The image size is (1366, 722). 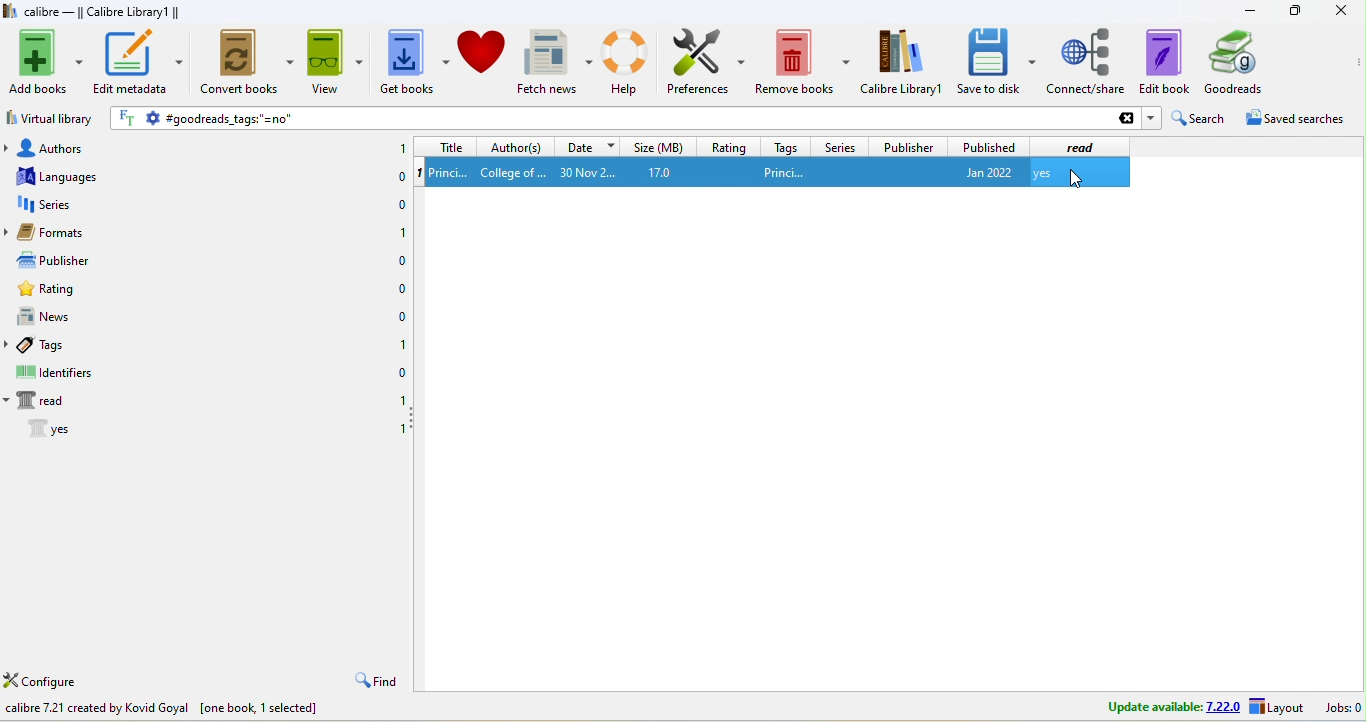 I want to click on 0, so click(x=400, y=289).